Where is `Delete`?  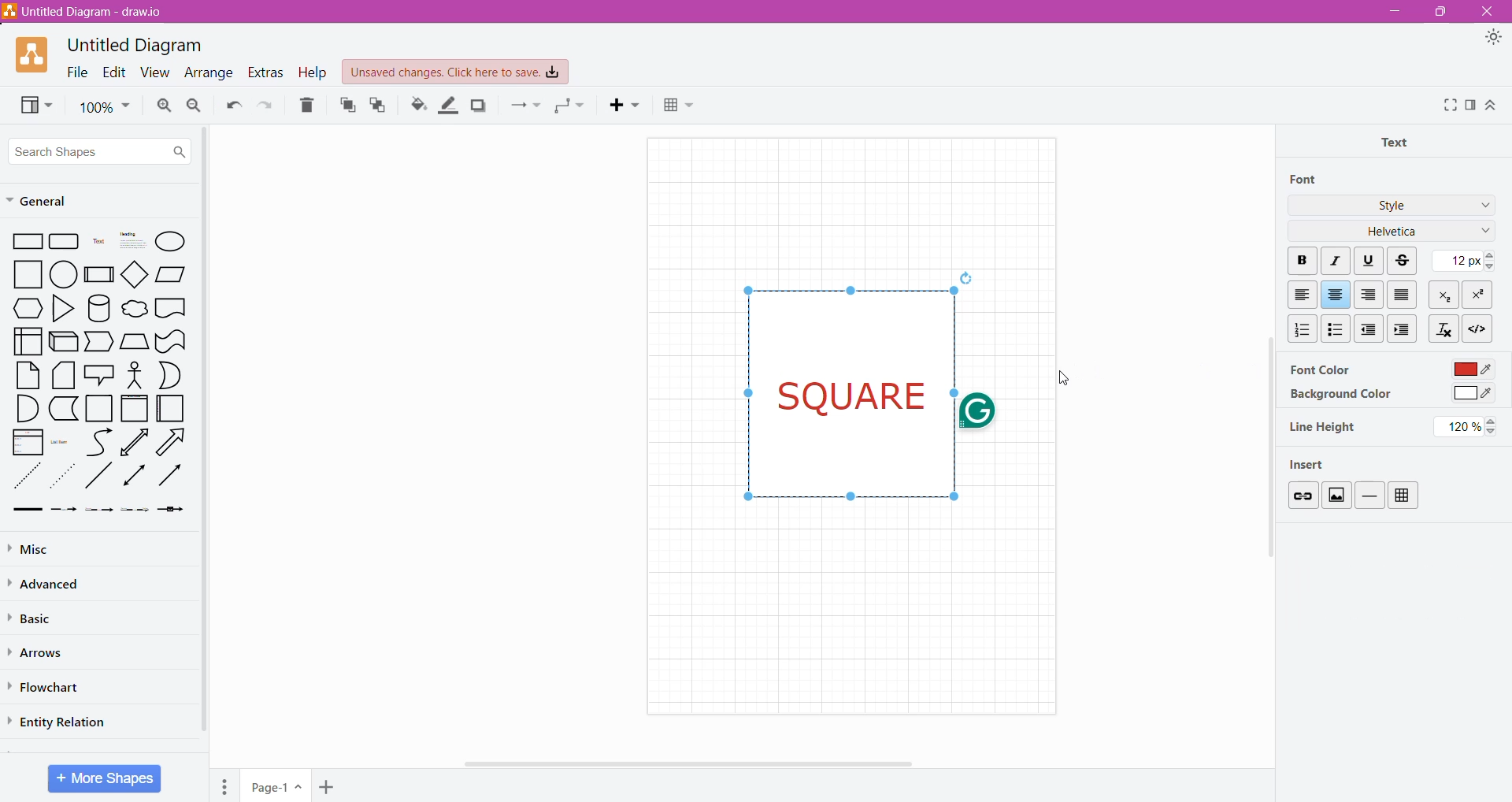 Delete is located at coordinates (313, 106).